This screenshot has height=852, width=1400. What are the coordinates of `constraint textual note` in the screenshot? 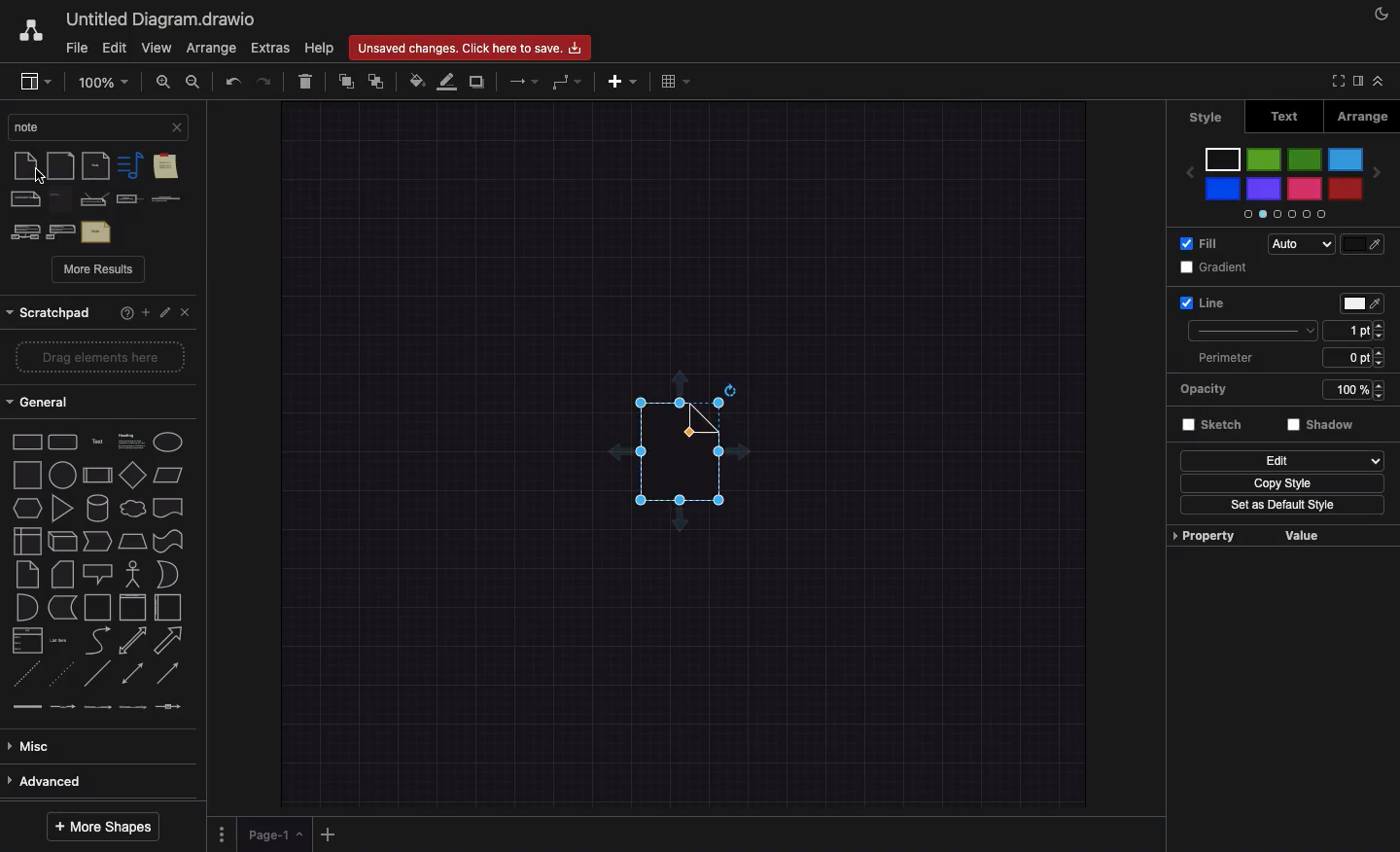 It's located at (165, 199).